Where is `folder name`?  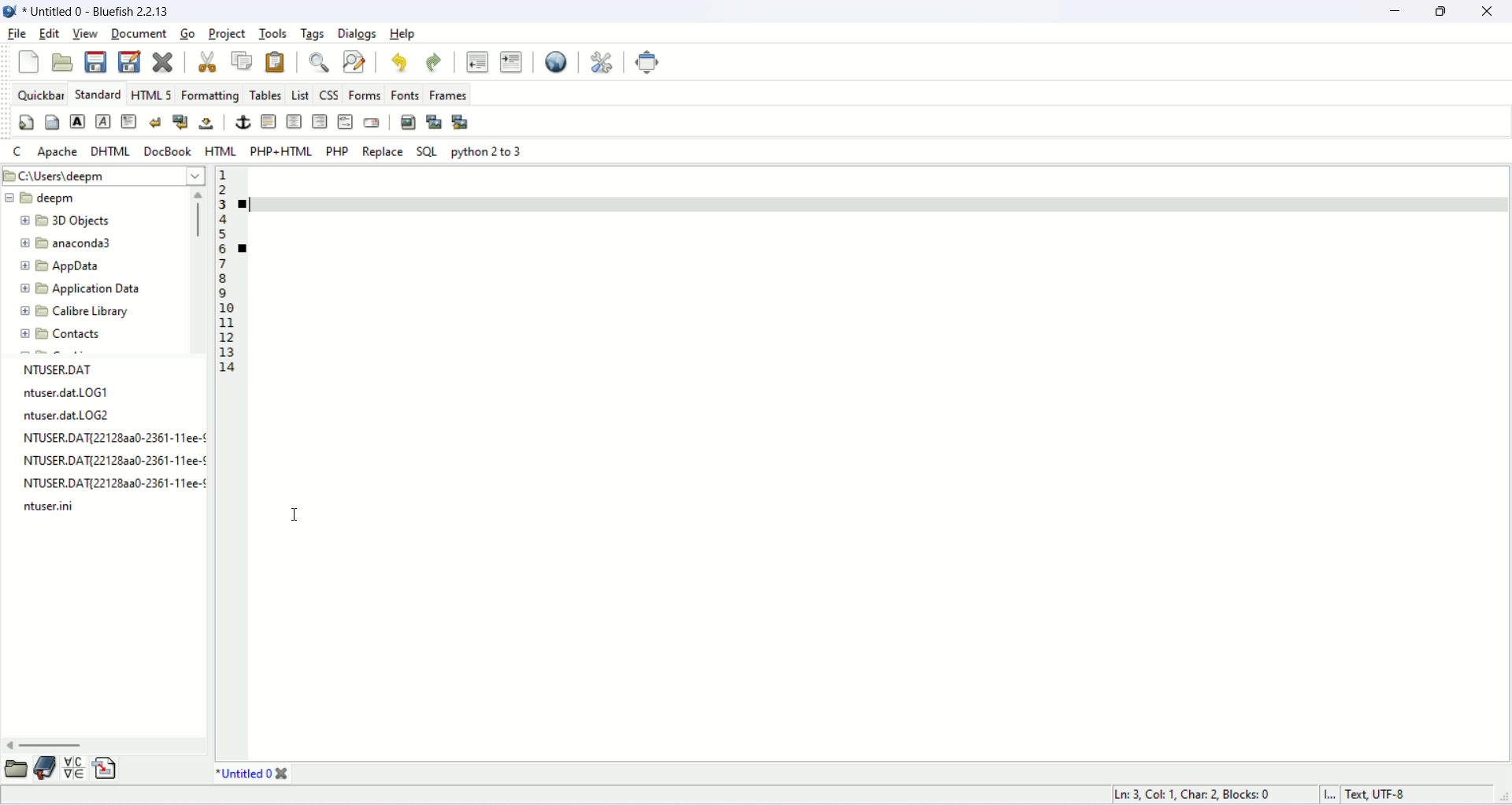 folder name is located at coordinates (89, 263).